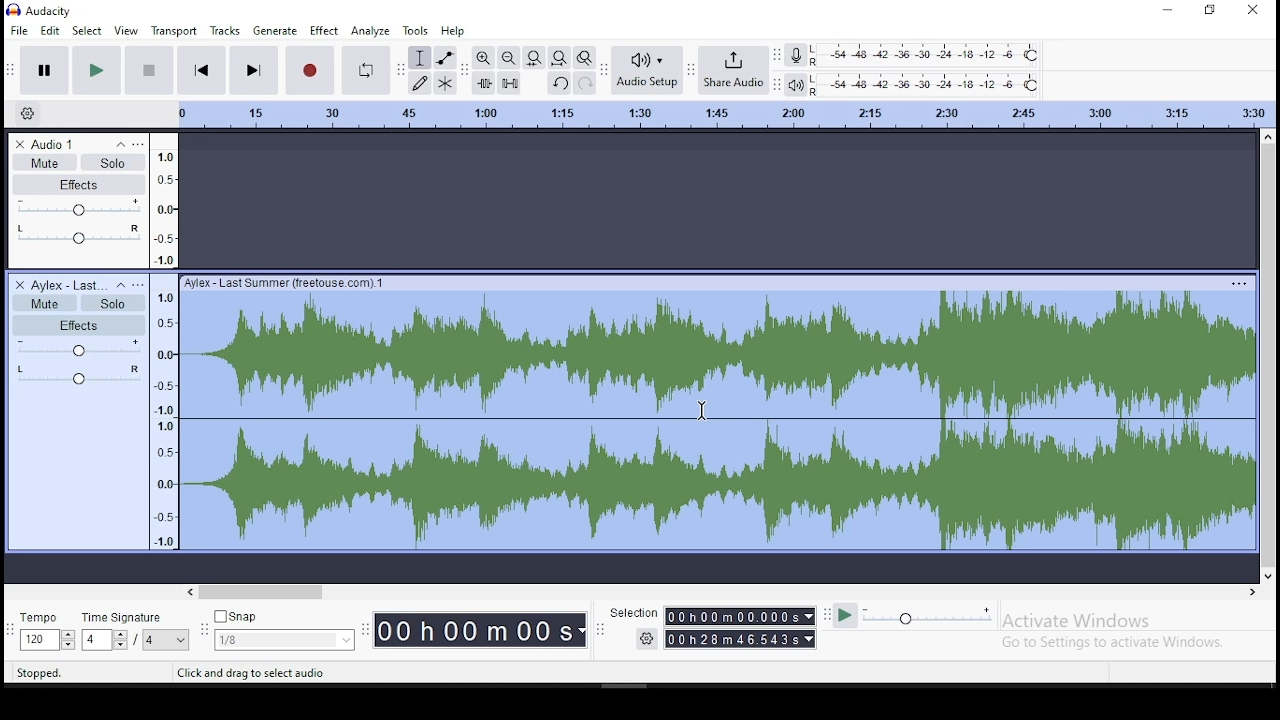 The height and width of the screenshot is (720, 1280). Describe the element at coordinates (445, 83) in the screenshot. I see `multi tool` at that location.